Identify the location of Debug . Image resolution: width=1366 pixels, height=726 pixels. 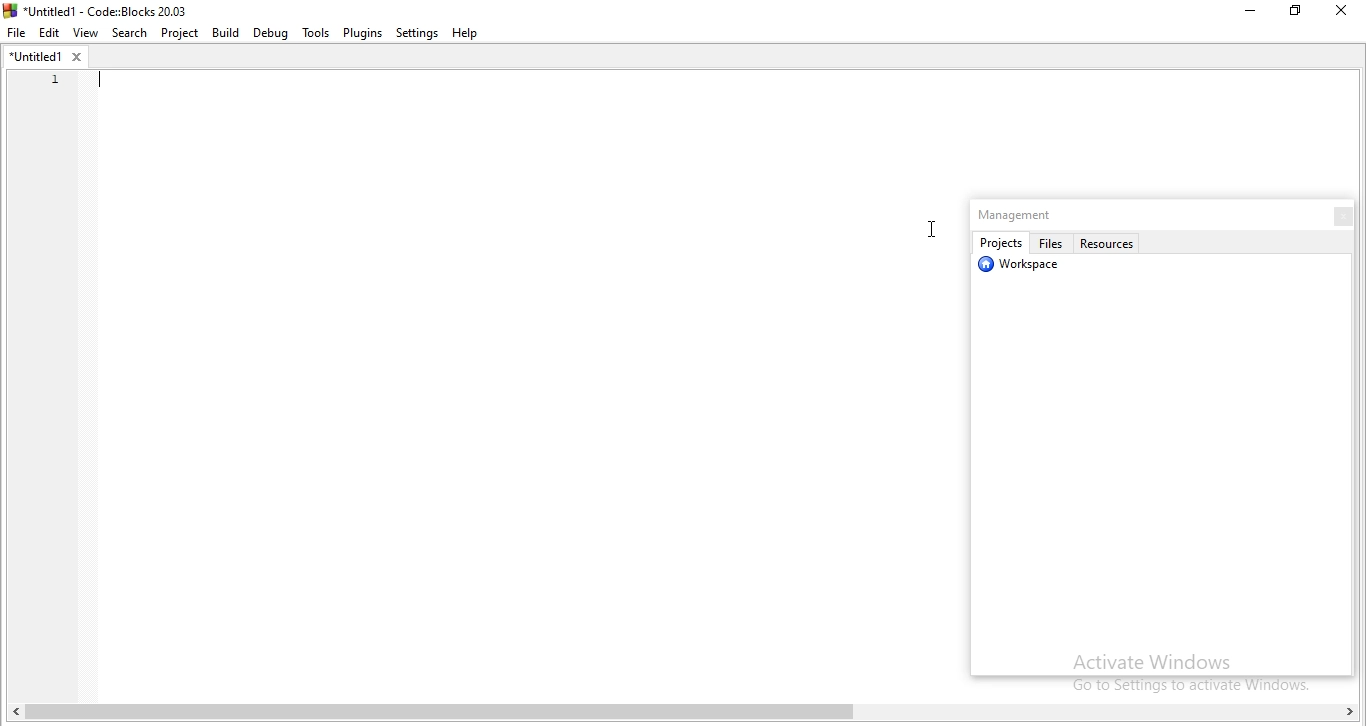
(269, 33).